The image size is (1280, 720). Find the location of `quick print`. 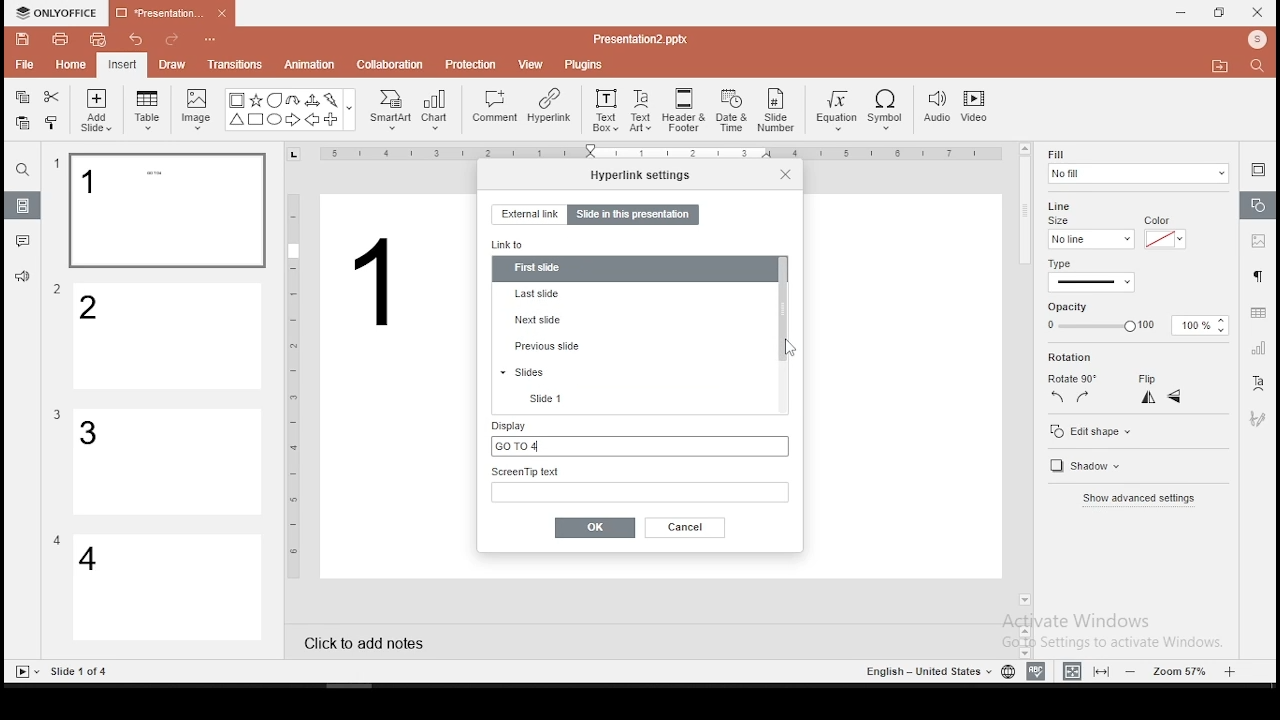

quick print is located at coordinates (98, 39).